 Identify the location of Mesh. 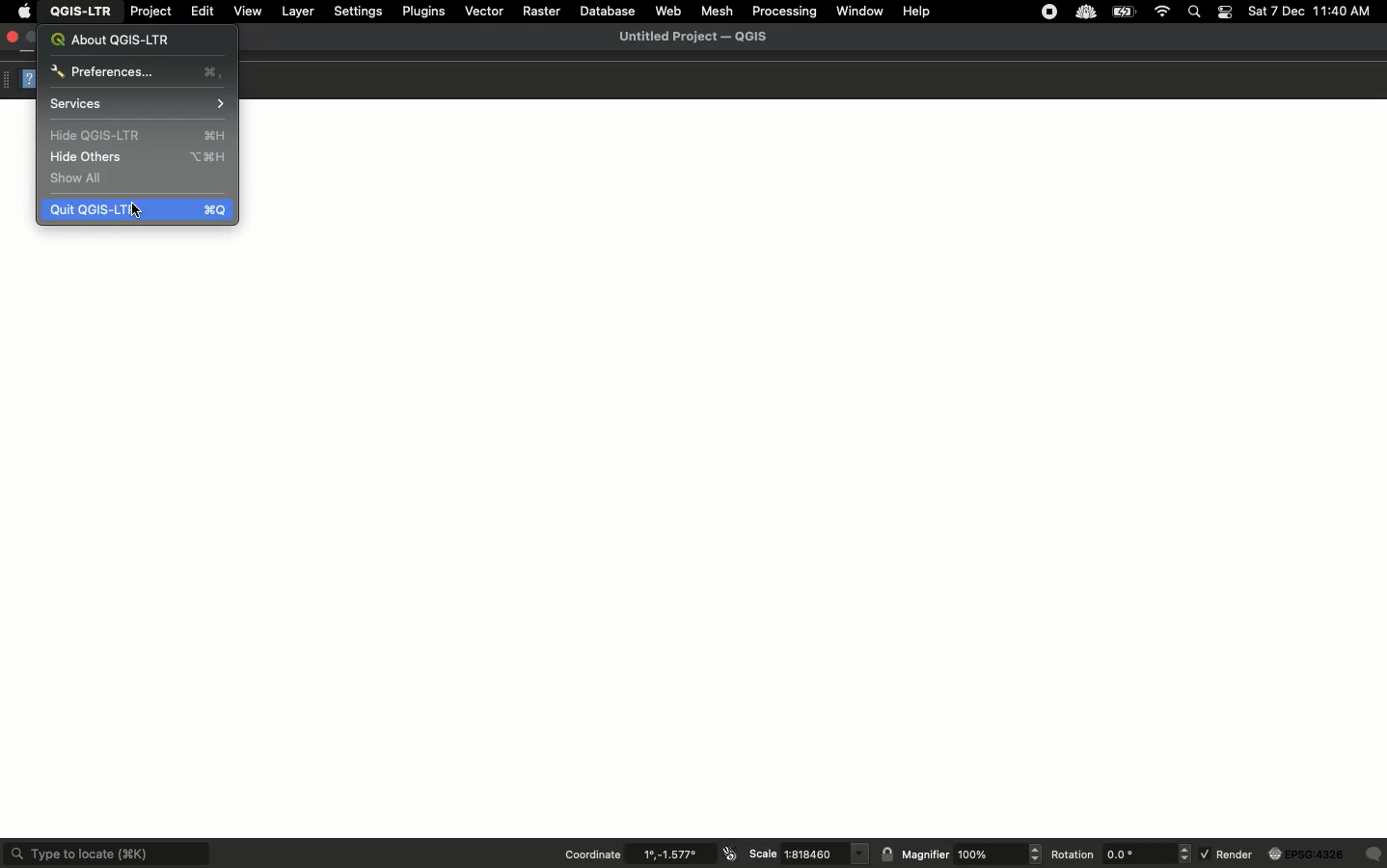
(716, 10).